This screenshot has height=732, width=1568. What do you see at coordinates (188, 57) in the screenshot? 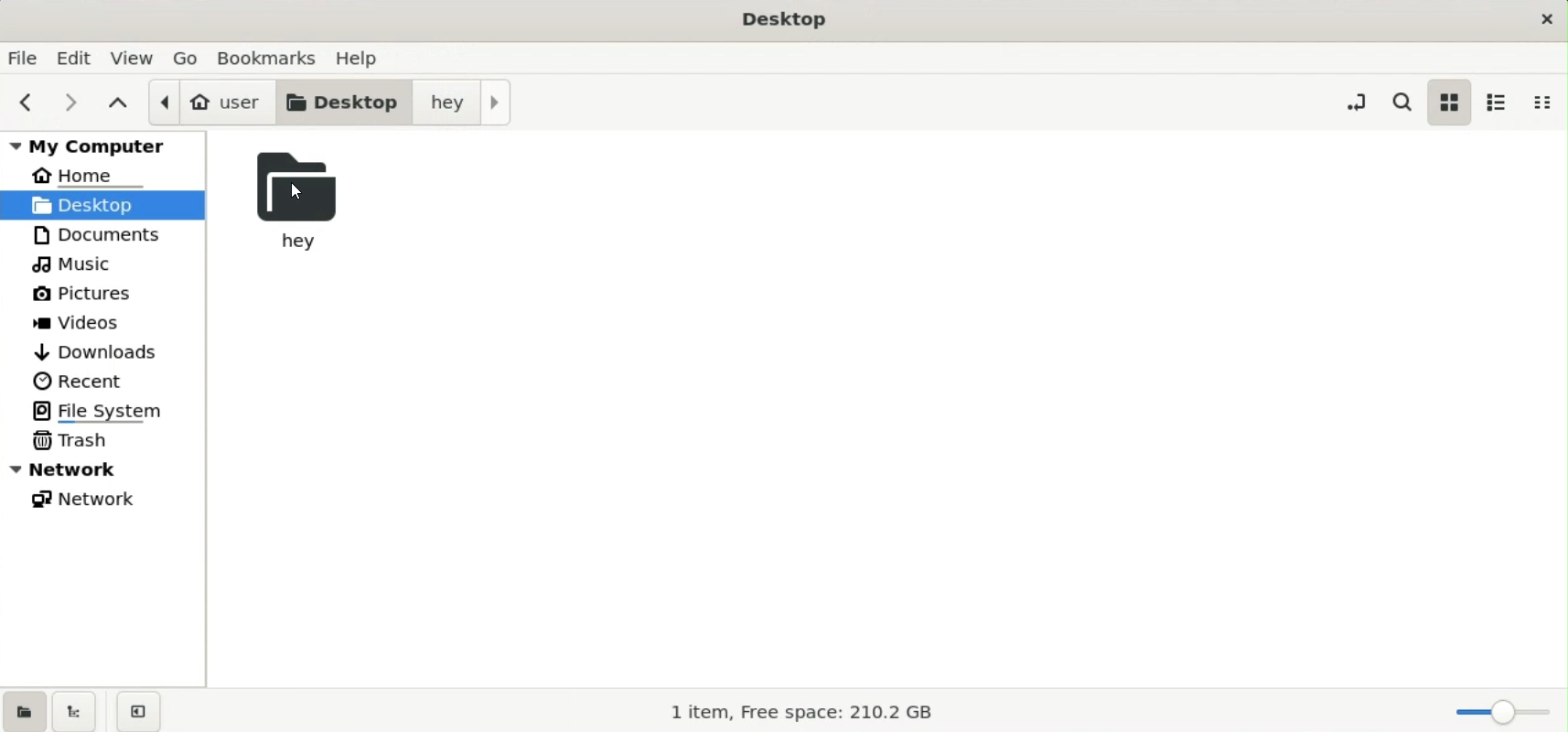
I see `go` at bounding box center [188, 57].